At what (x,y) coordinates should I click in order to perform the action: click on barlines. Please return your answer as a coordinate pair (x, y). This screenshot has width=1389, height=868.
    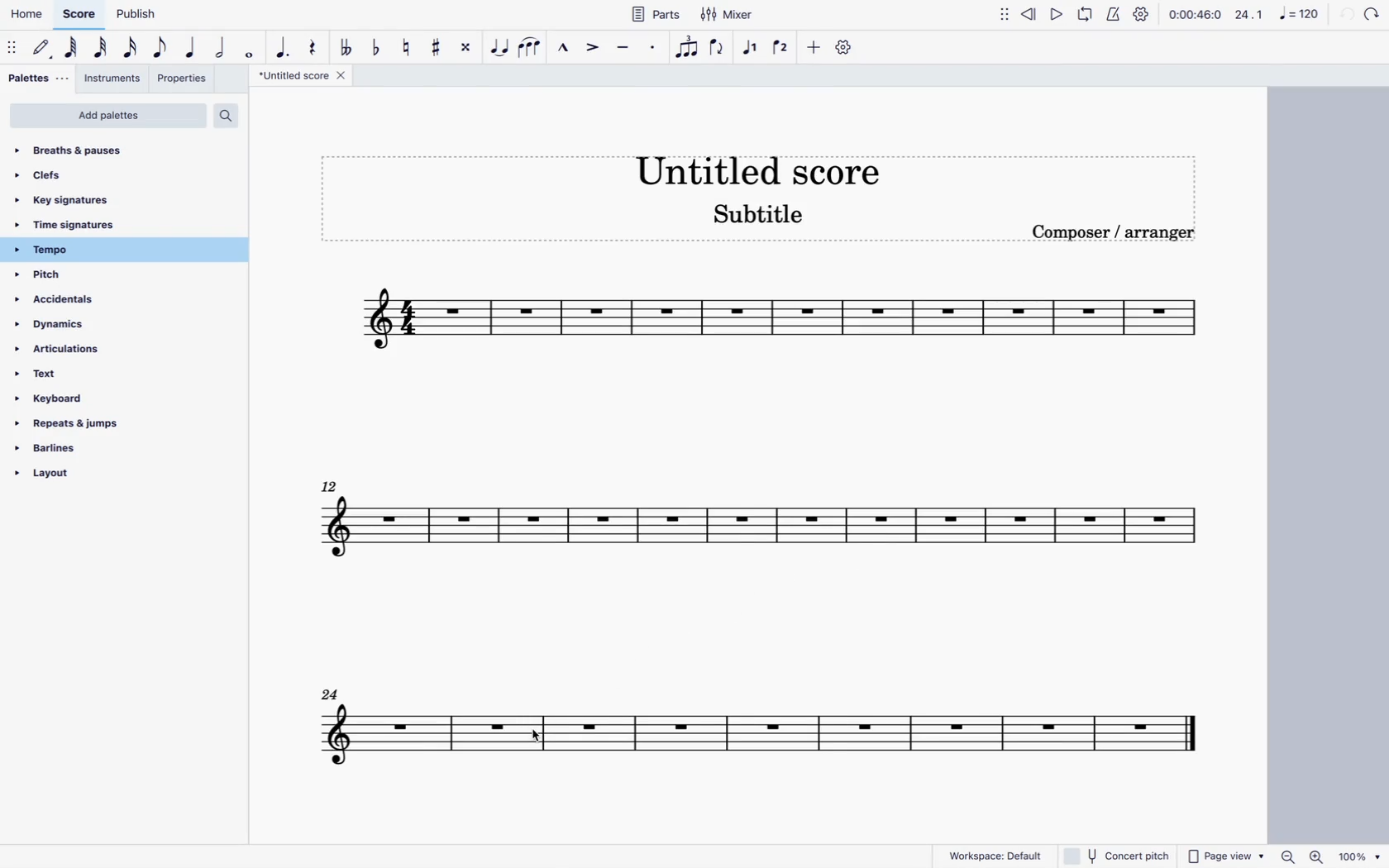
    Looking at the image, I should click on (76, 449).